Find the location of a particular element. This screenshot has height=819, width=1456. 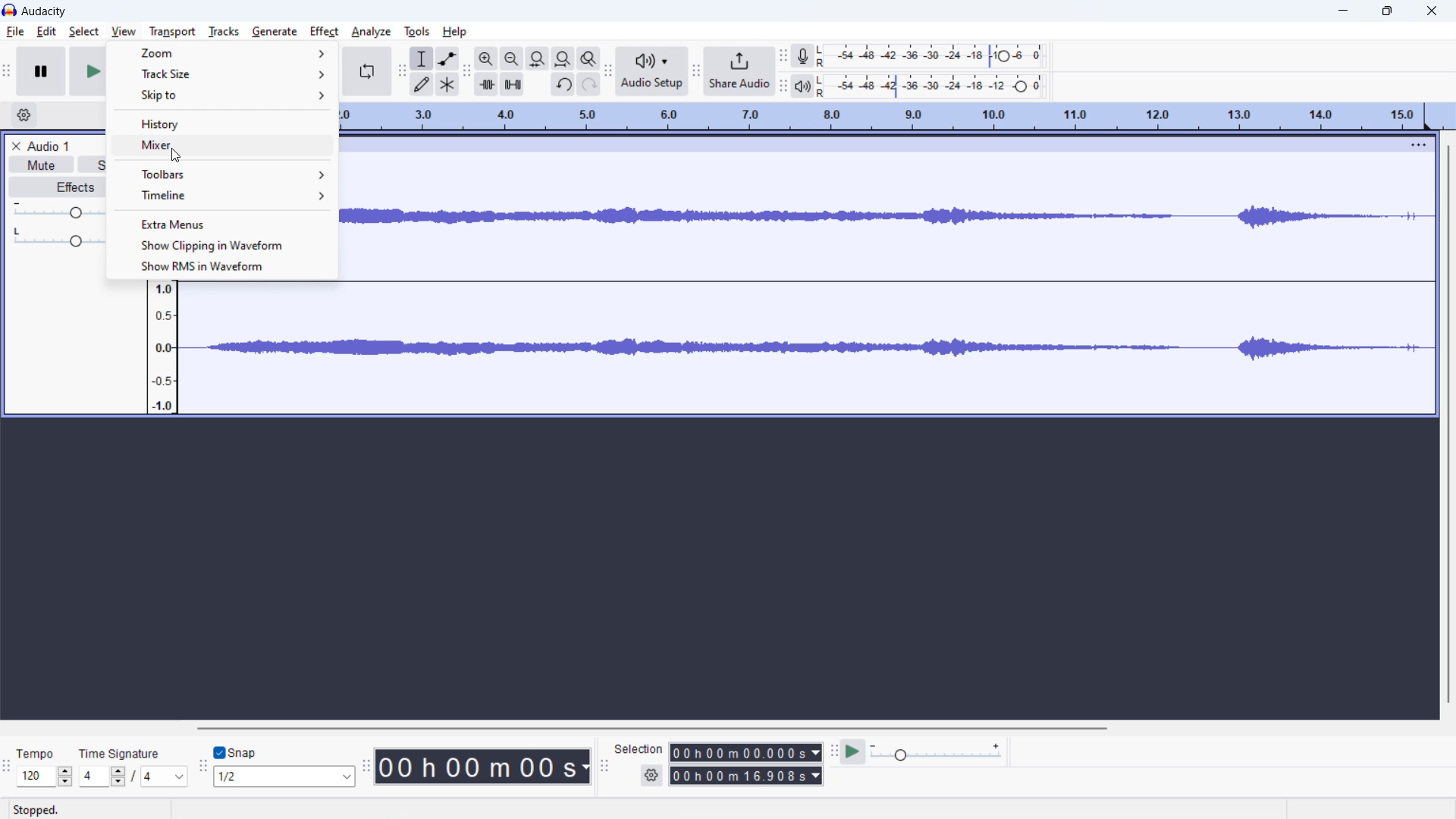

transport is located at coordinates (172, 32).